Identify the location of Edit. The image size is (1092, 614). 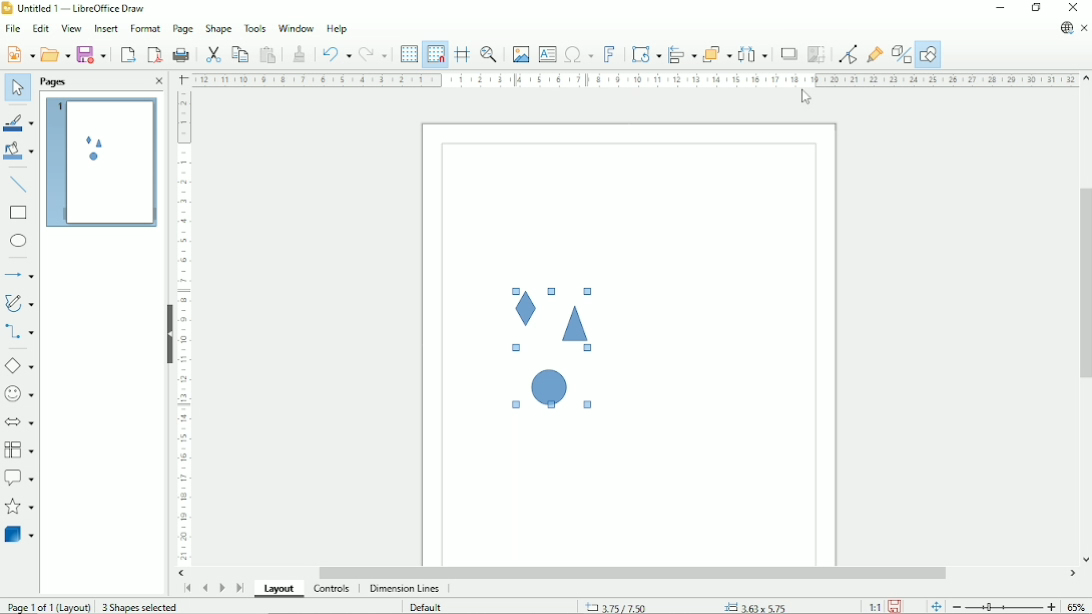
(40, 27).